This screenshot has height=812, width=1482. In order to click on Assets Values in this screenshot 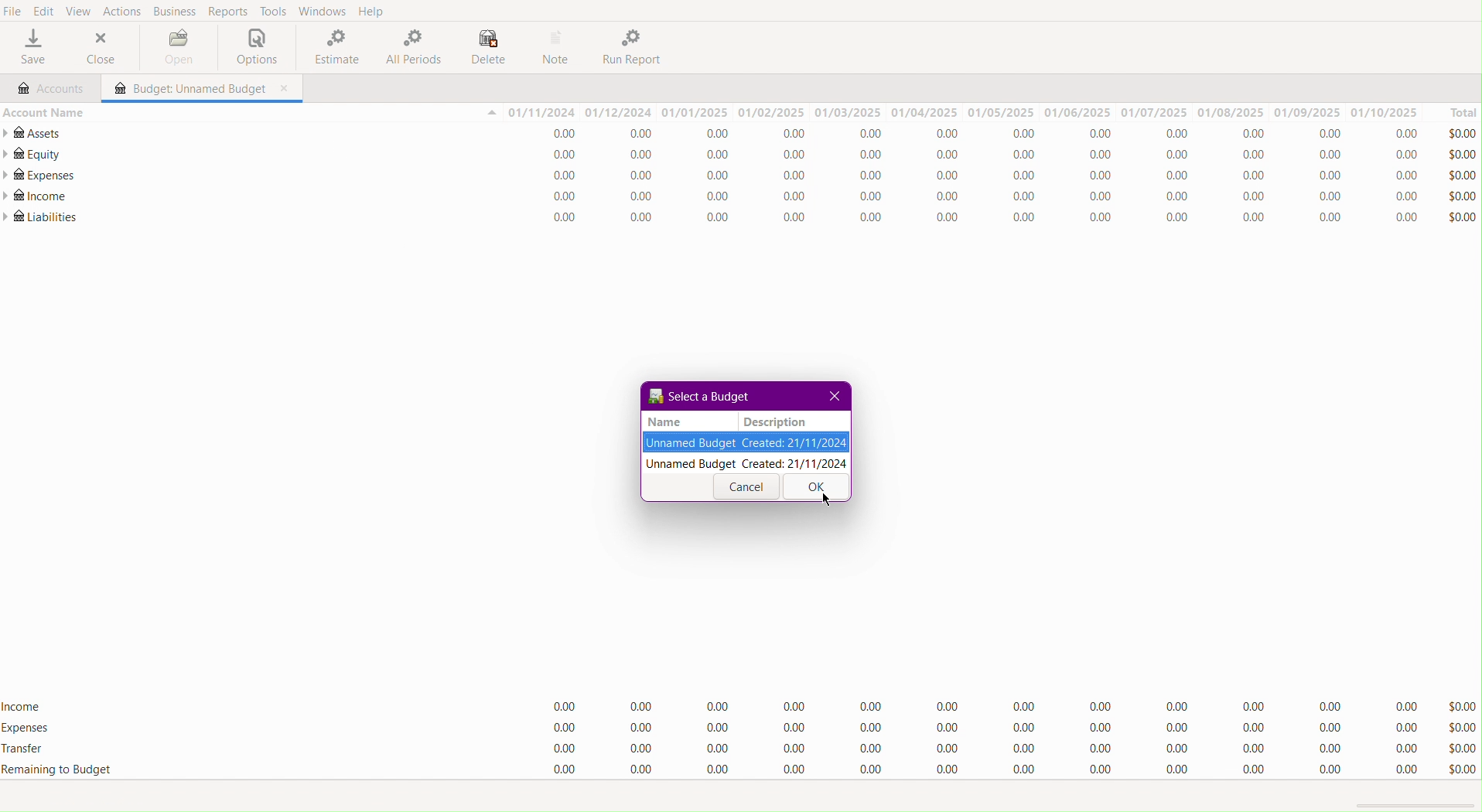, I will do `click(983, 135)`.